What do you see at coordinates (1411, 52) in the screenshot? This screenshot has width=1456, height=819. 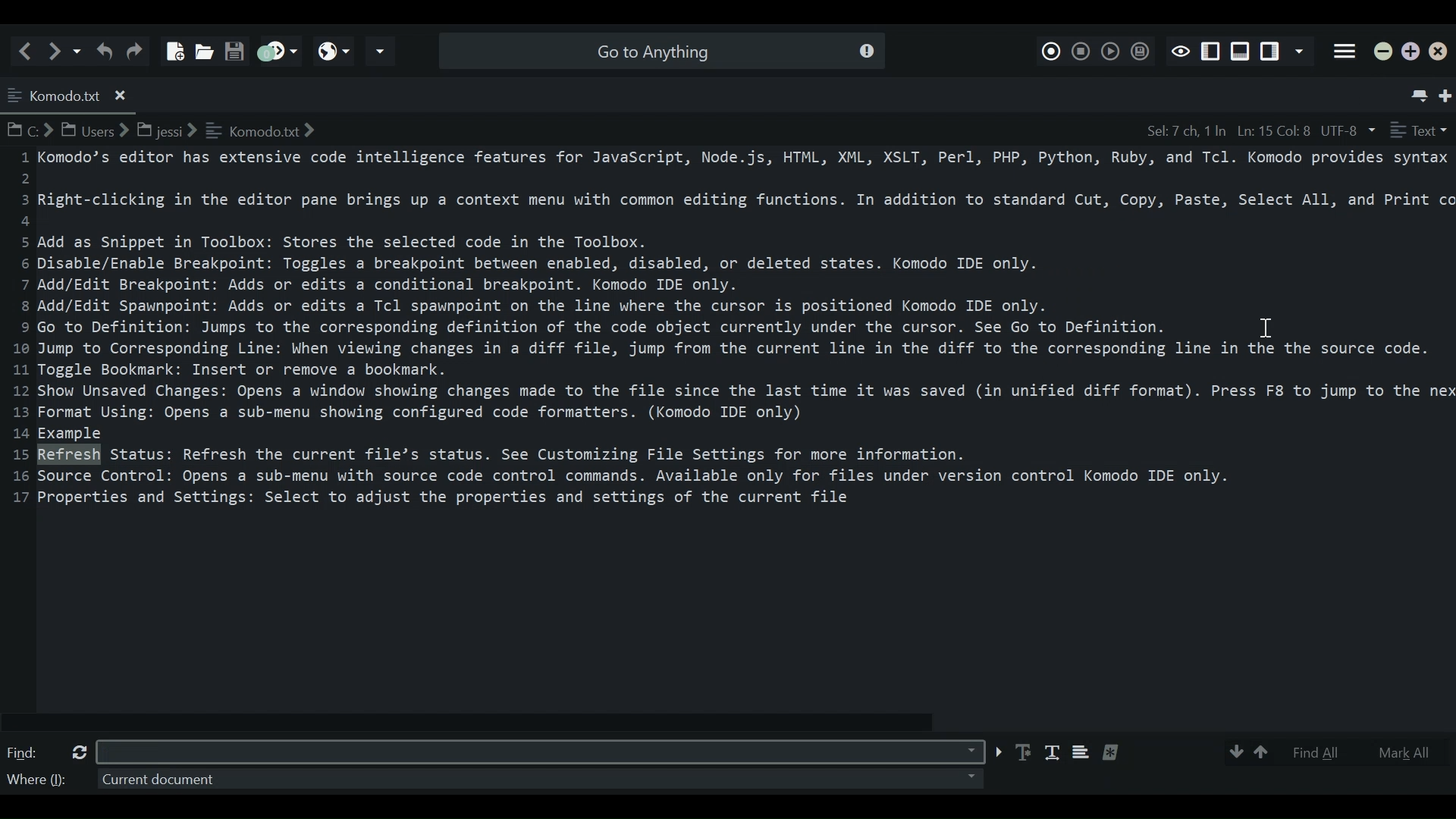 I see `Restore` at bounding box center [1411, 52].